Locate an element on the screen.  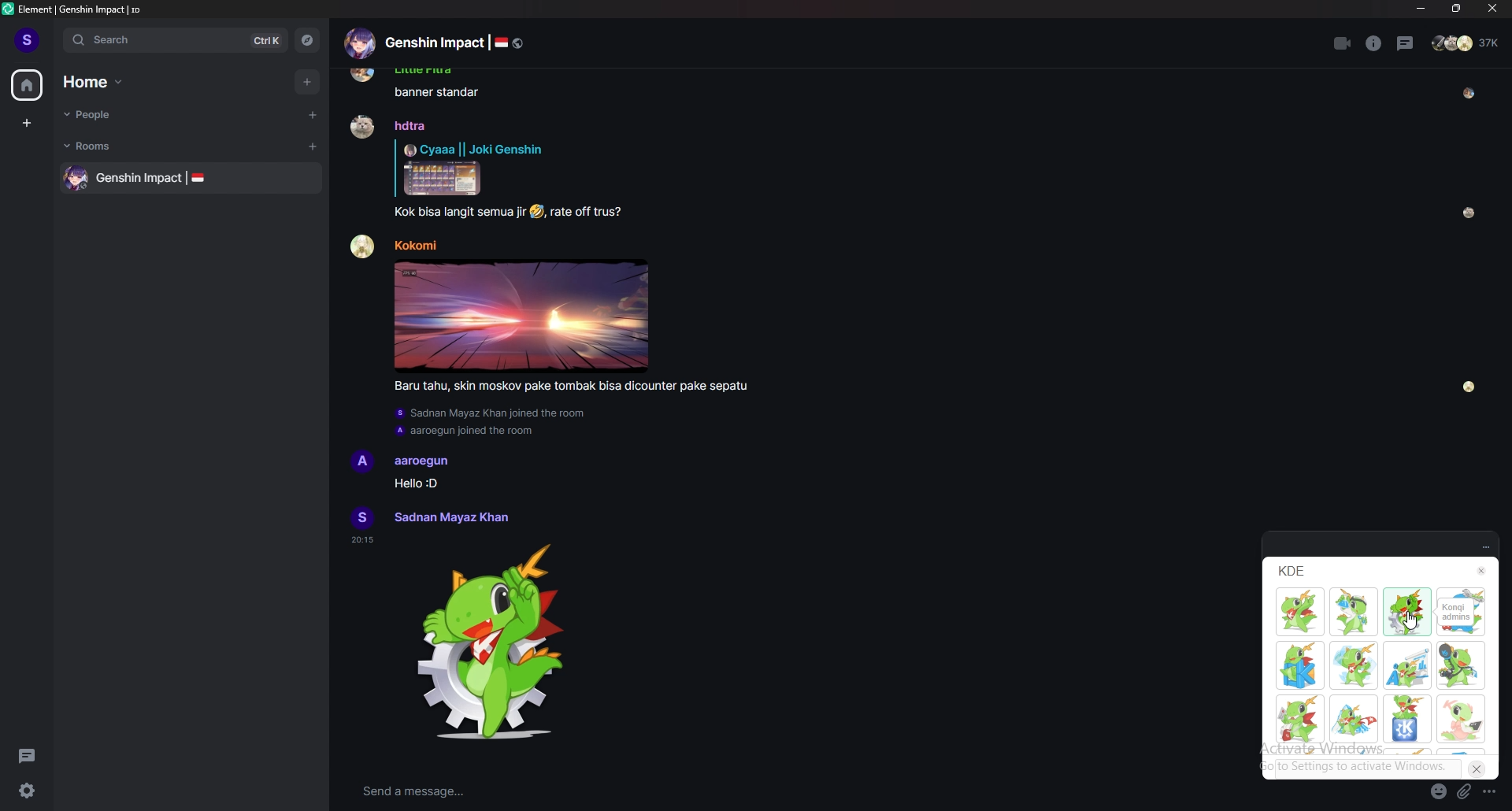
quick settings is located at coordinates (27, 790).